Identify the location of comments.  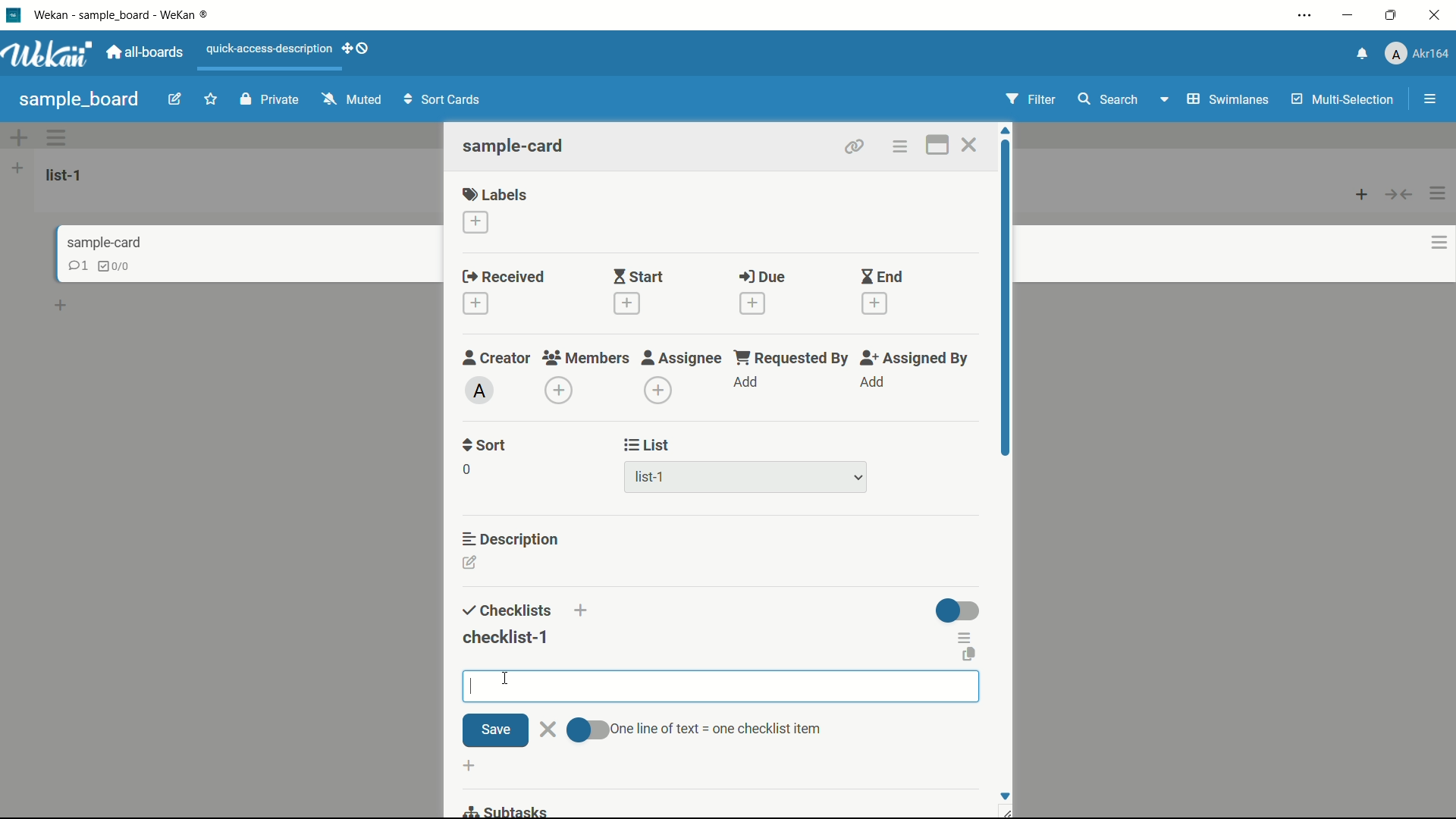
(77, 267).